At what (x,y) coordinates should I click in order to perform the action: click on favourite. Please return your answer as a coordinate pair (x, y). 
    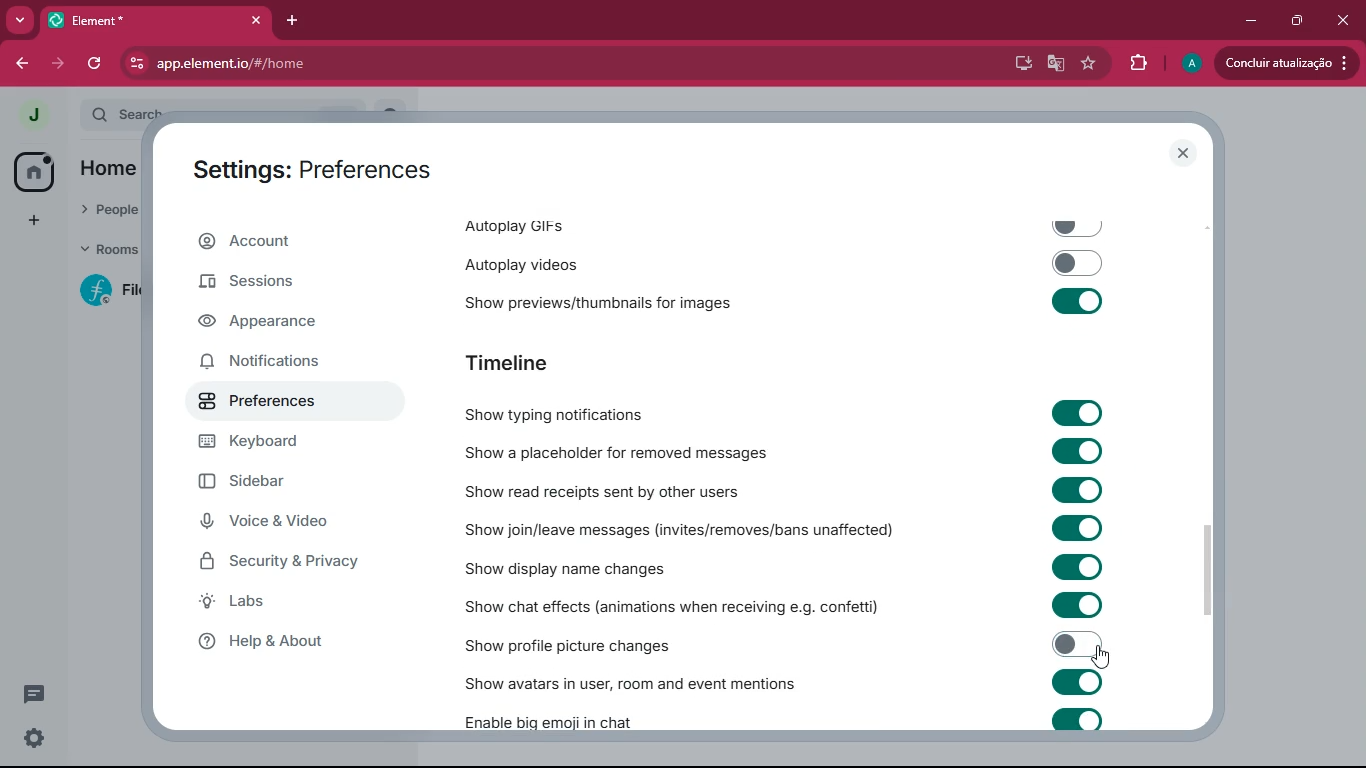
    Looking at the image, I should click on (1087, 65).